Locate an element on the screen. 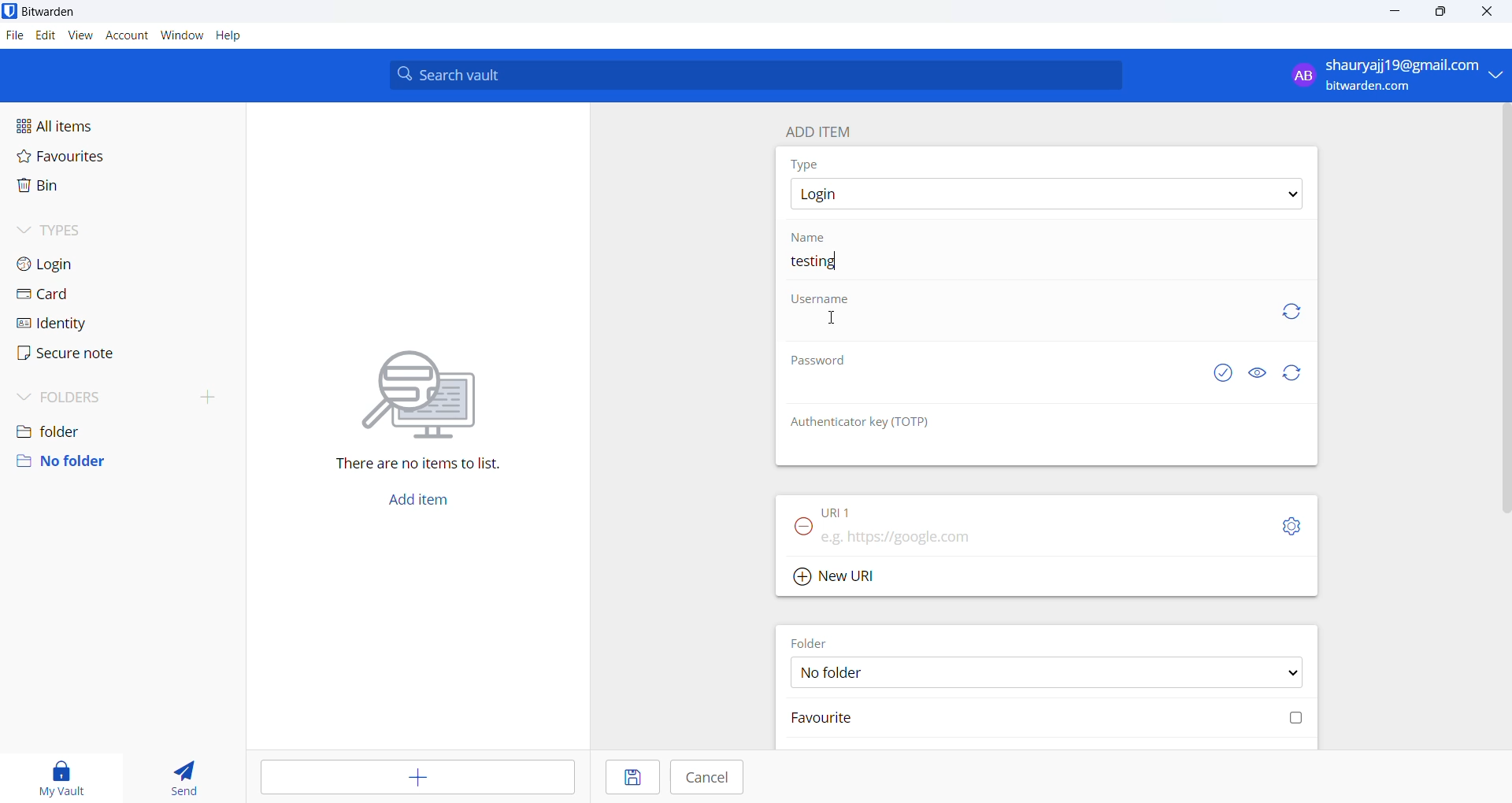 The height and width of the screenshot is (803, 1512). OTP heading: Authenticator key (TOTP) is located at coordinates (865, 422).